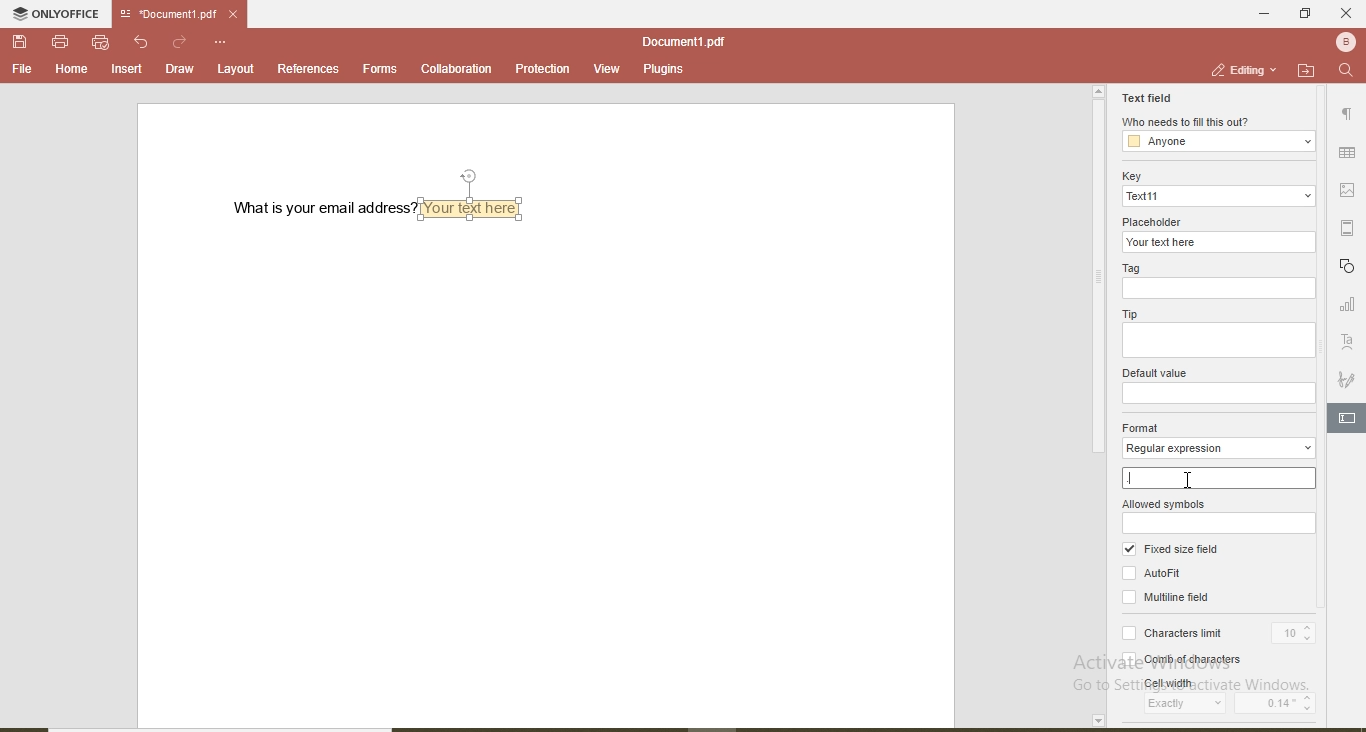 Image resolution: width=1366 pixels, height=732 pixels. I want to click on 10, so click(1294, 630).